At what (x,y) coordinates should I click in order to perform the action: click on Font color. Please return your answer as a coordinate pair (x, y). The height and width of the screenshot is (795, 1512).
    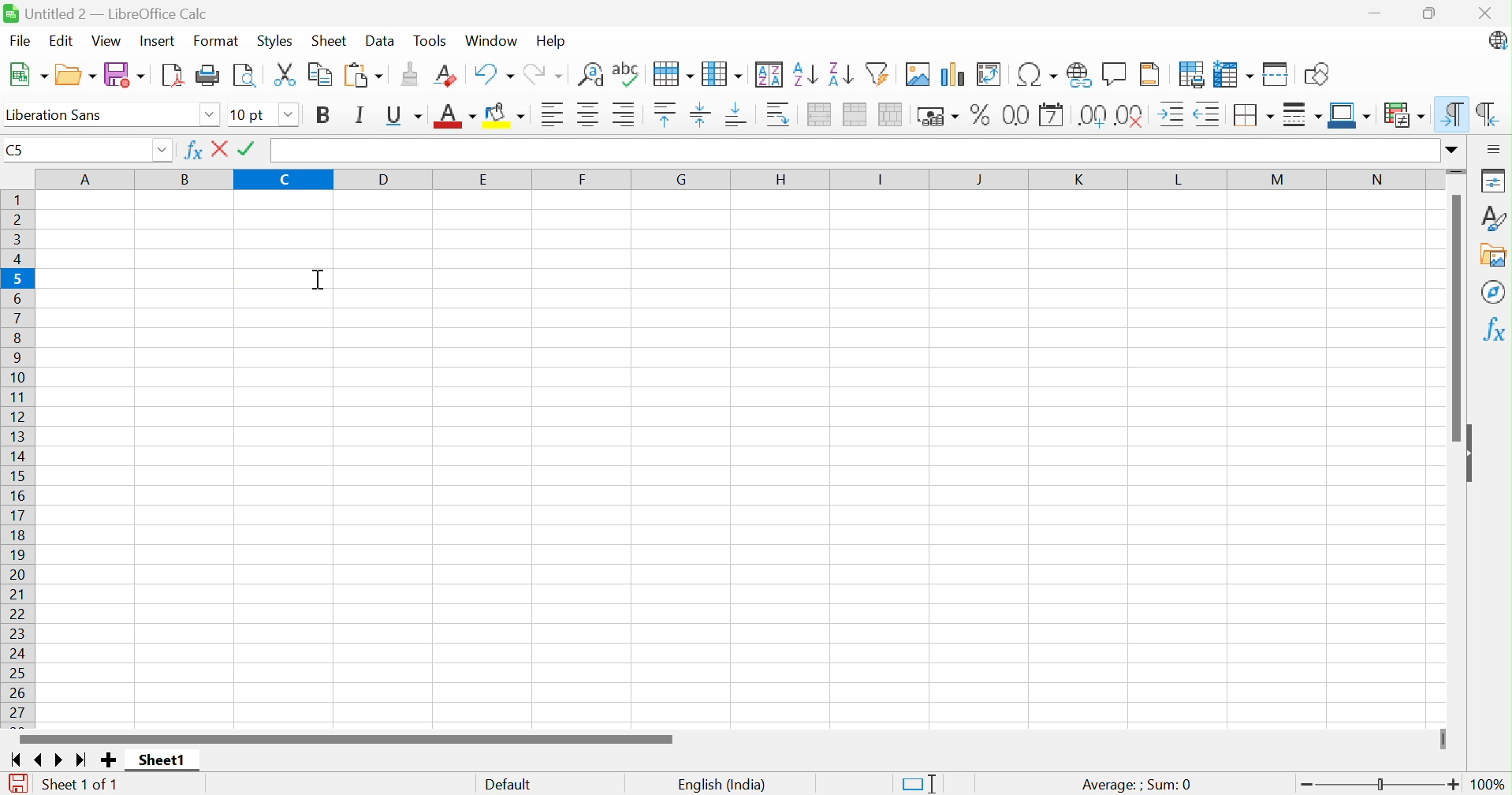
    Looking at the image, I should click on (456, 118).